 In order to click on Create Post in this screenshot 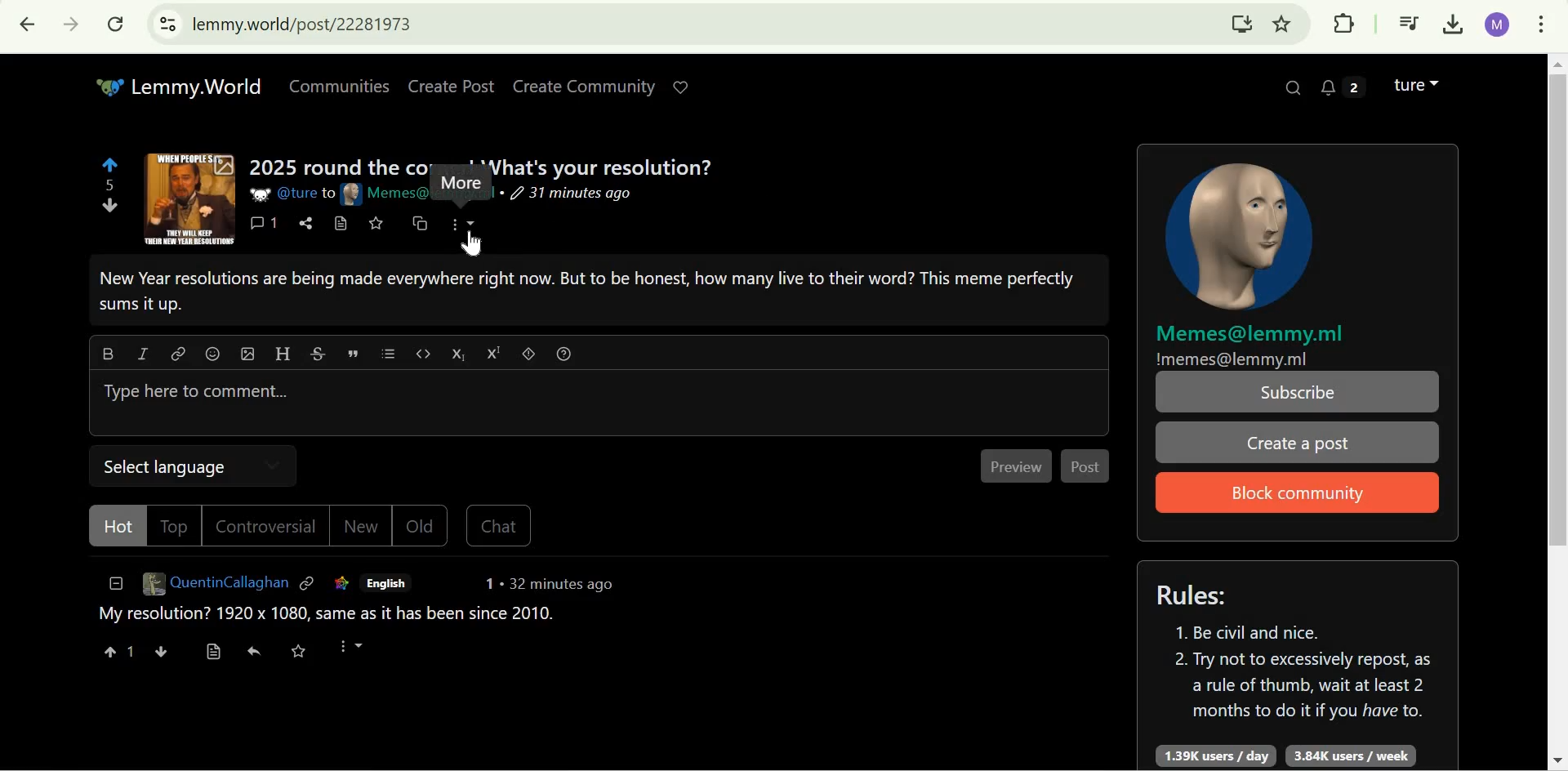, I will do `click(452, 87)`.